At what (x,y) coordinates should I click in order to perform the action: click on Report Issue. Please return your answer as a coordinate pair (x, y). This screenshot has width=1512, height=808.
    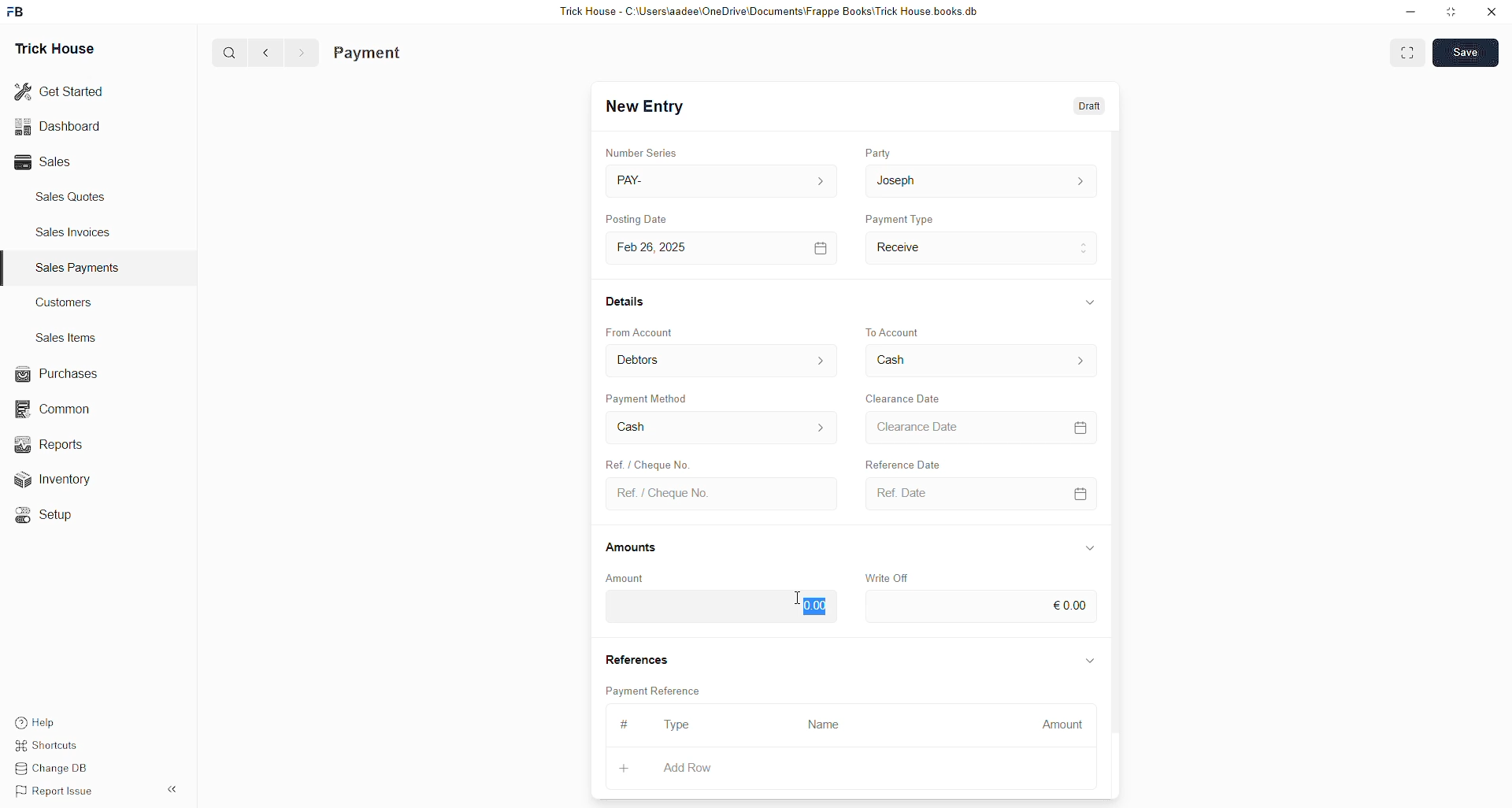
    Looking at the image, I should click on (57, 791).